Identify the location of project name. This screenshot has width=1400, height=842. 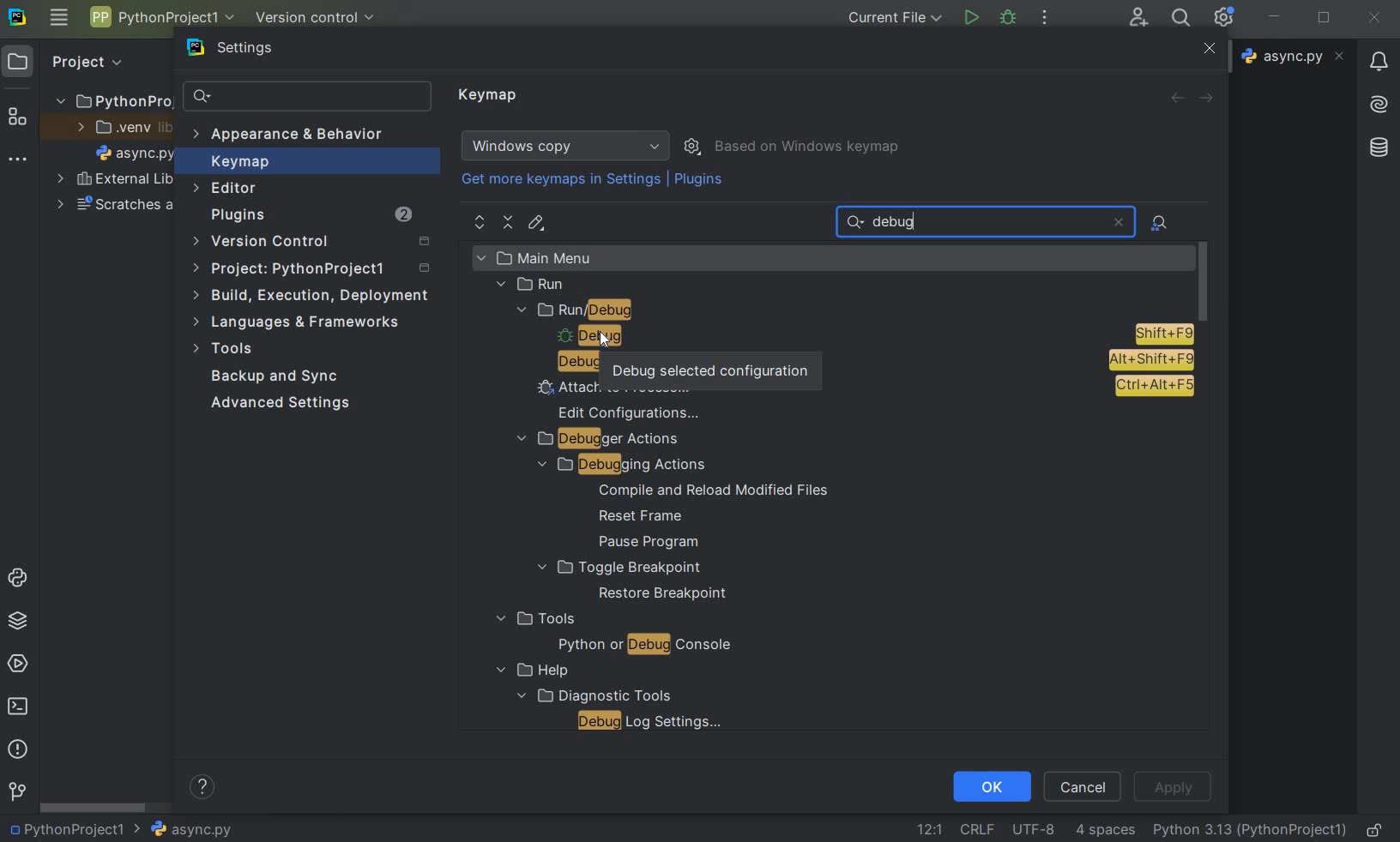
(64, 829).